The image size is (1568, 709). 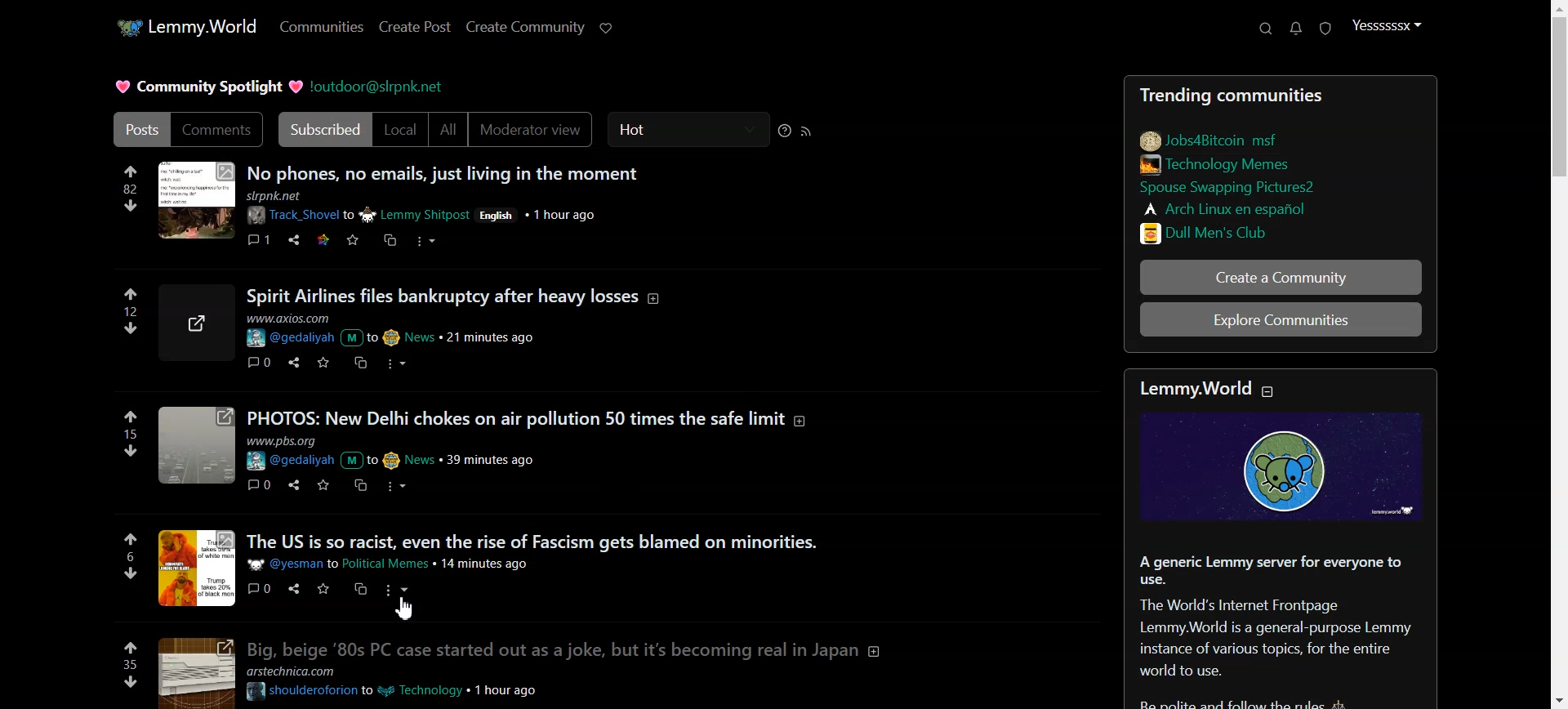 I want to click on share, so click(x=294, y=240).